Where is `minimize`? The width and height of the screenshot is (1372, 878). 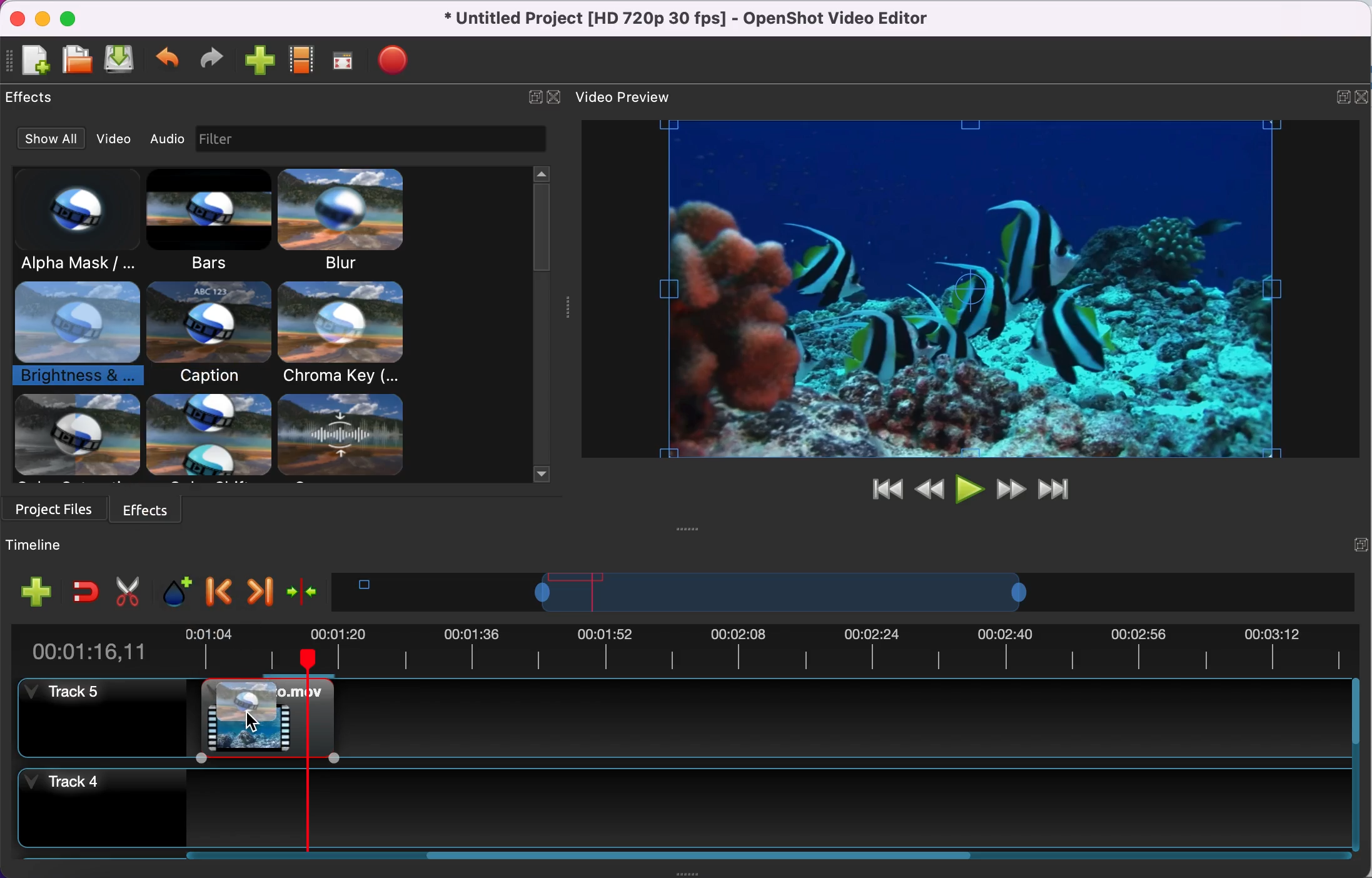
minimize is located at coordinates (43, 16).